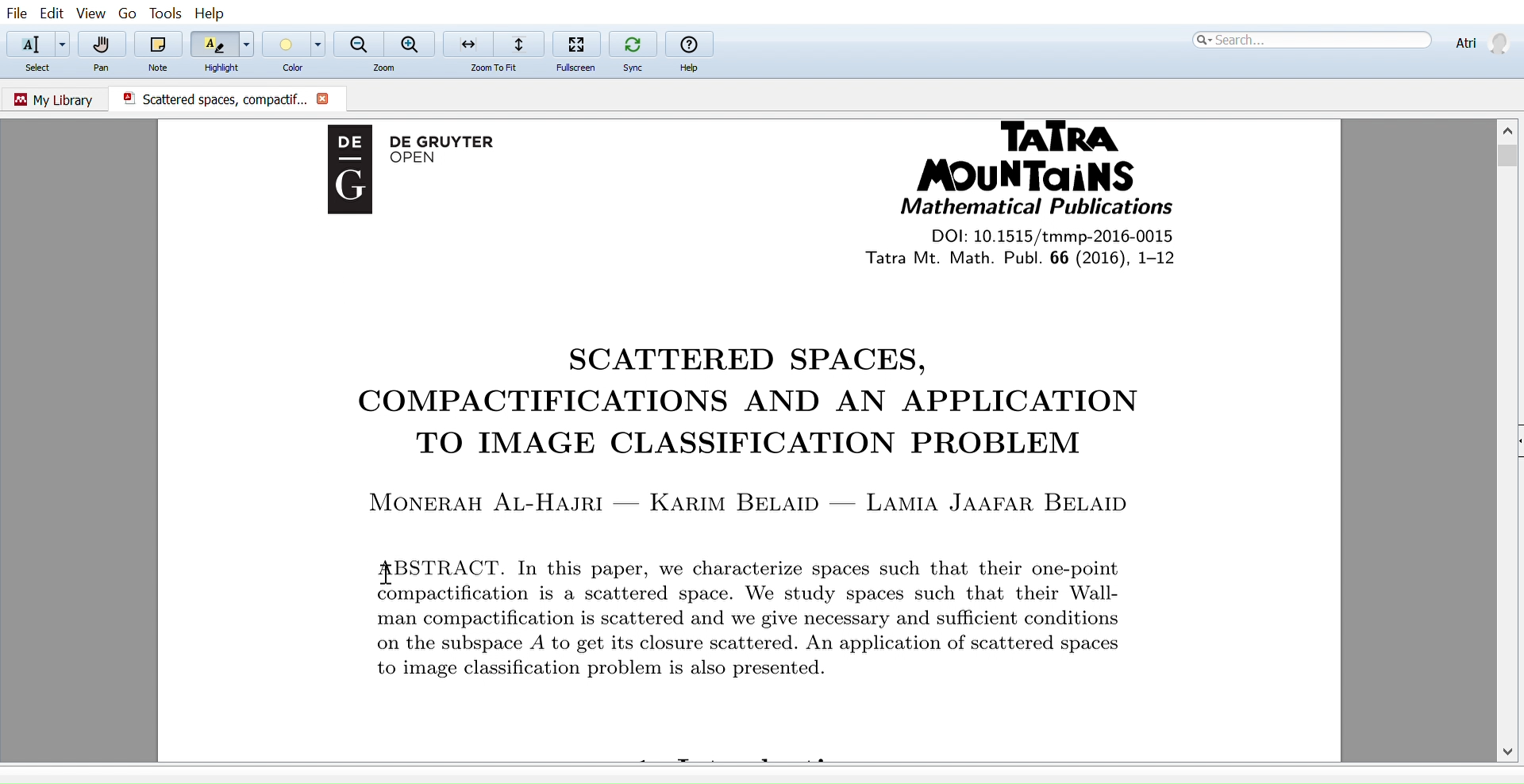  What do you see at coordinates (1045, 157) in the screenshot?
I see `Tatra Mountains` at bounding box center [1045, 157].